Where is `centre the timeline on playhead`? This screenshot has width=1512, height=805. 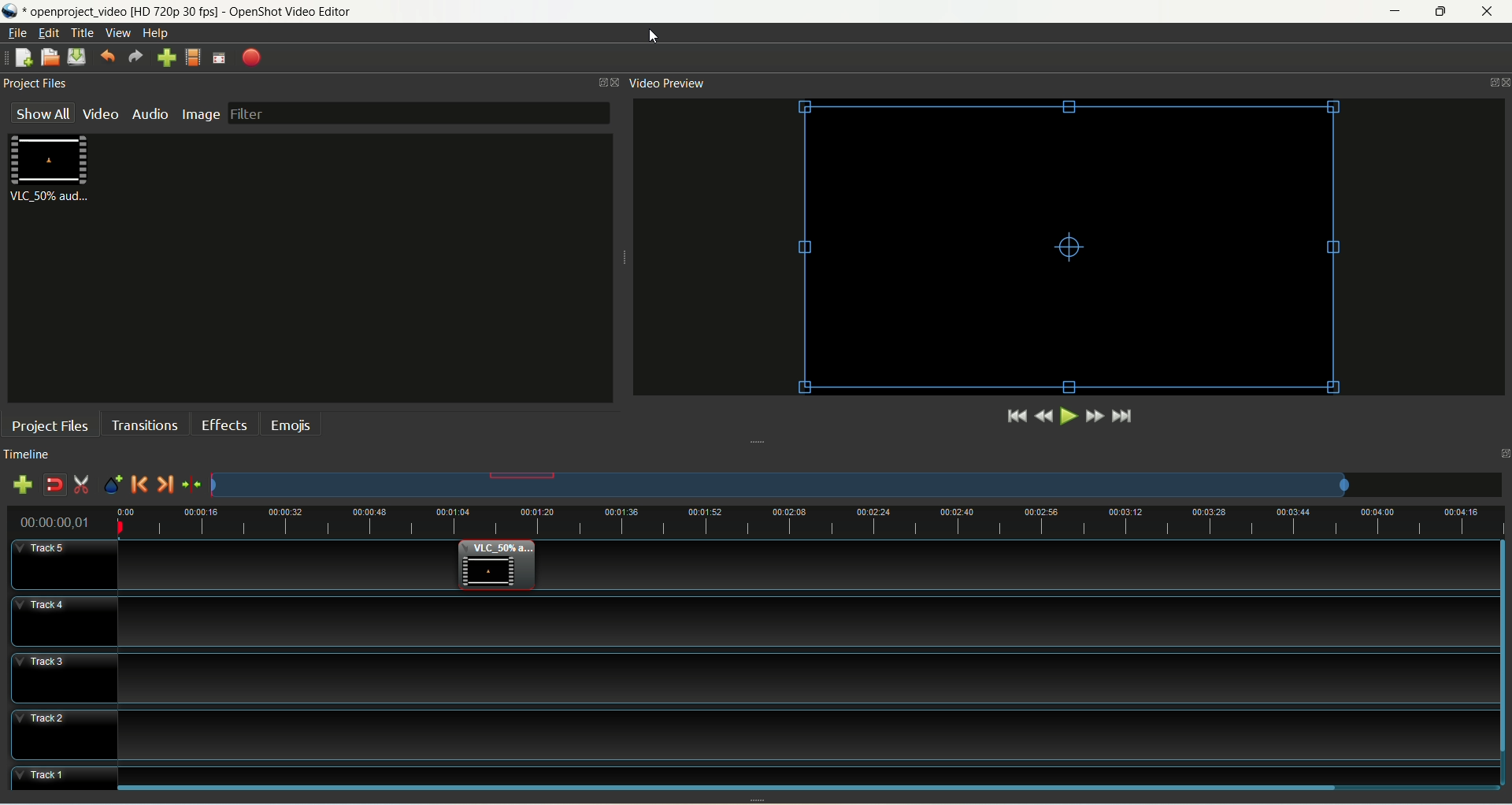
centre the timeline on playhead is located at coordinates (191, 484).